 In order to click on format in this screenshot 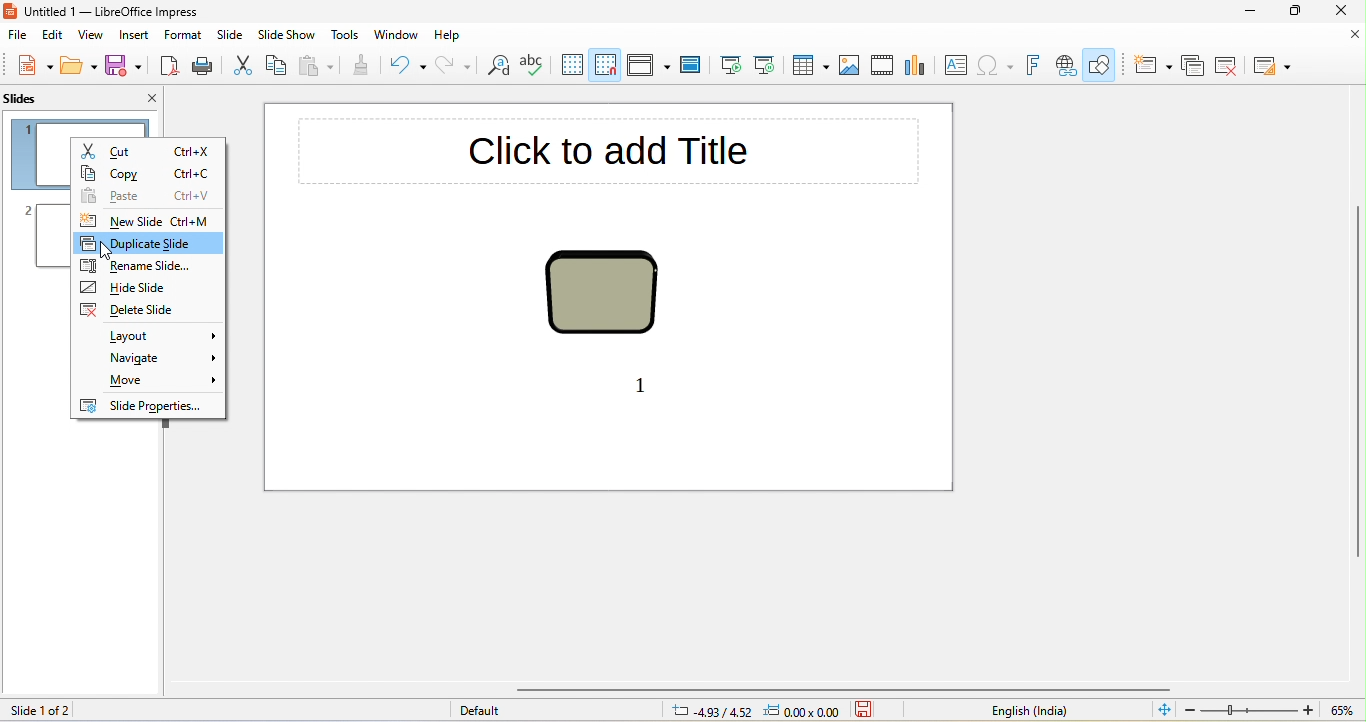, I will do `click(184, 37)`.